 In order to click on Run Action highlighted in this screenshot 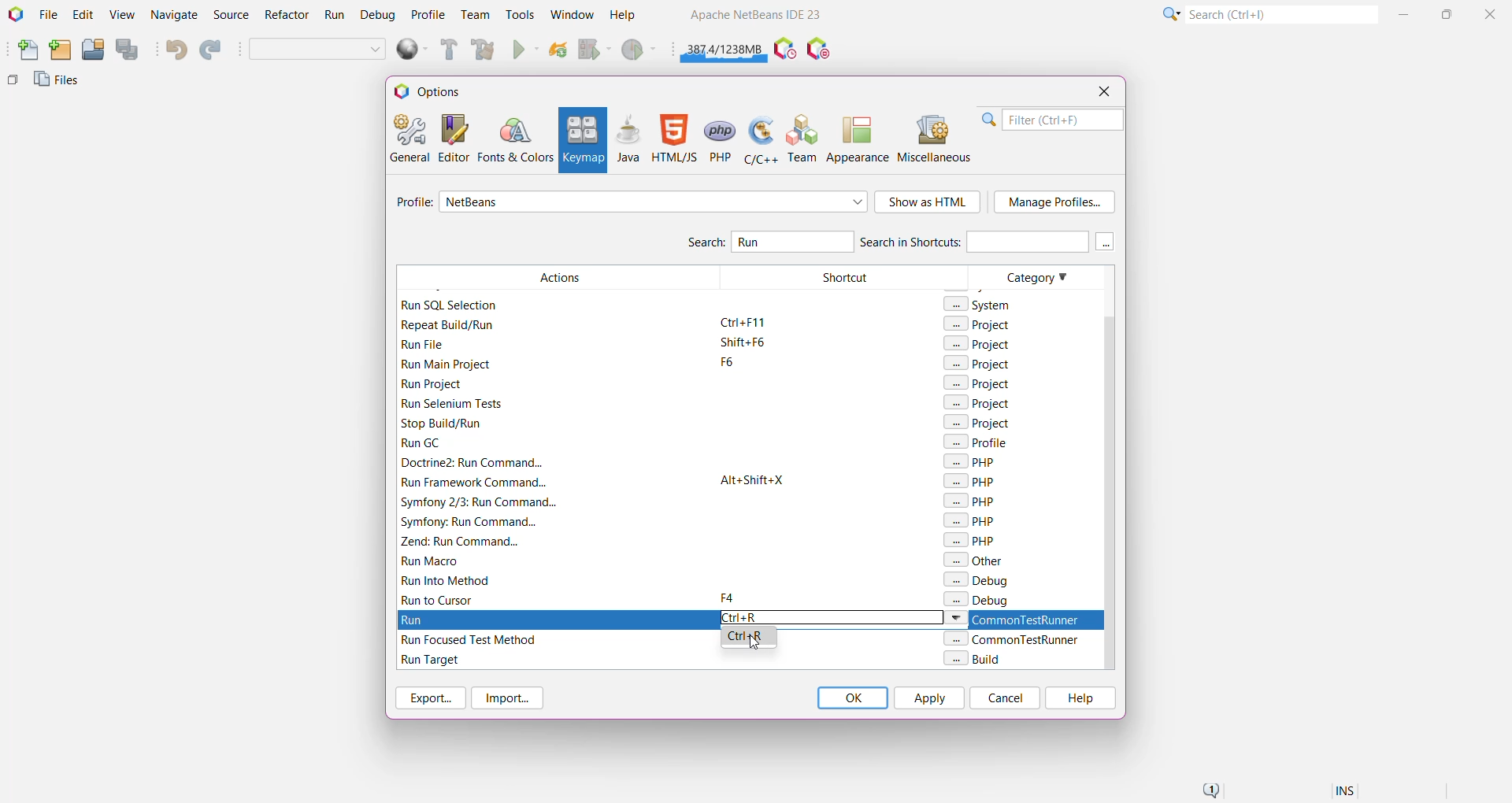, I will do `click(752, 620)`.